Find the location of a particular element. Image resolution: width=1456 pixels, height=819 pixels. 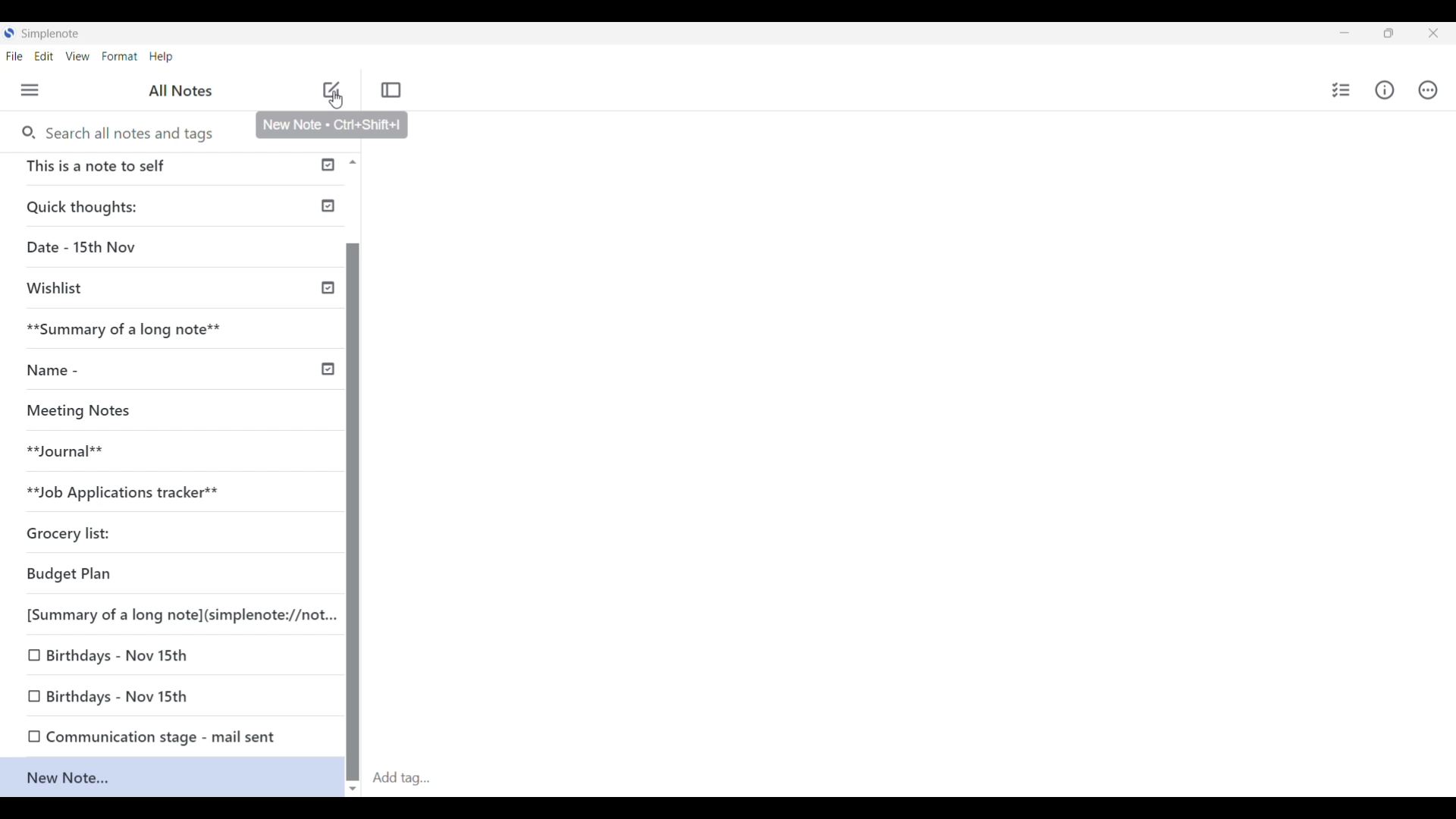

Edit menu is located at coordinates (45, 56).